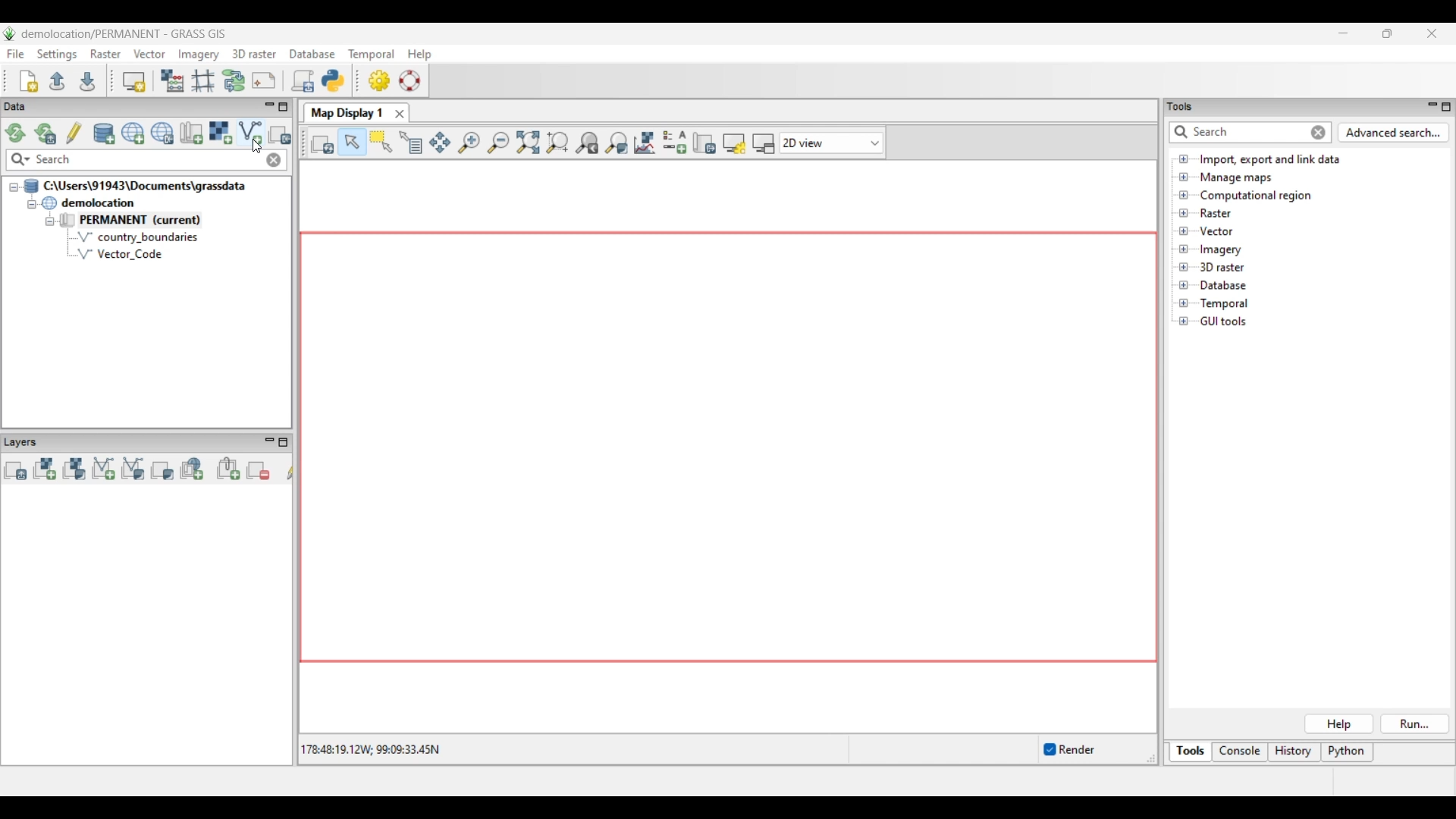 The height and width of the screenshot is (819, 1456). Describe the element at coordinates (72, 469) in the screenshot. I see `Add various raster map layers` at that location.